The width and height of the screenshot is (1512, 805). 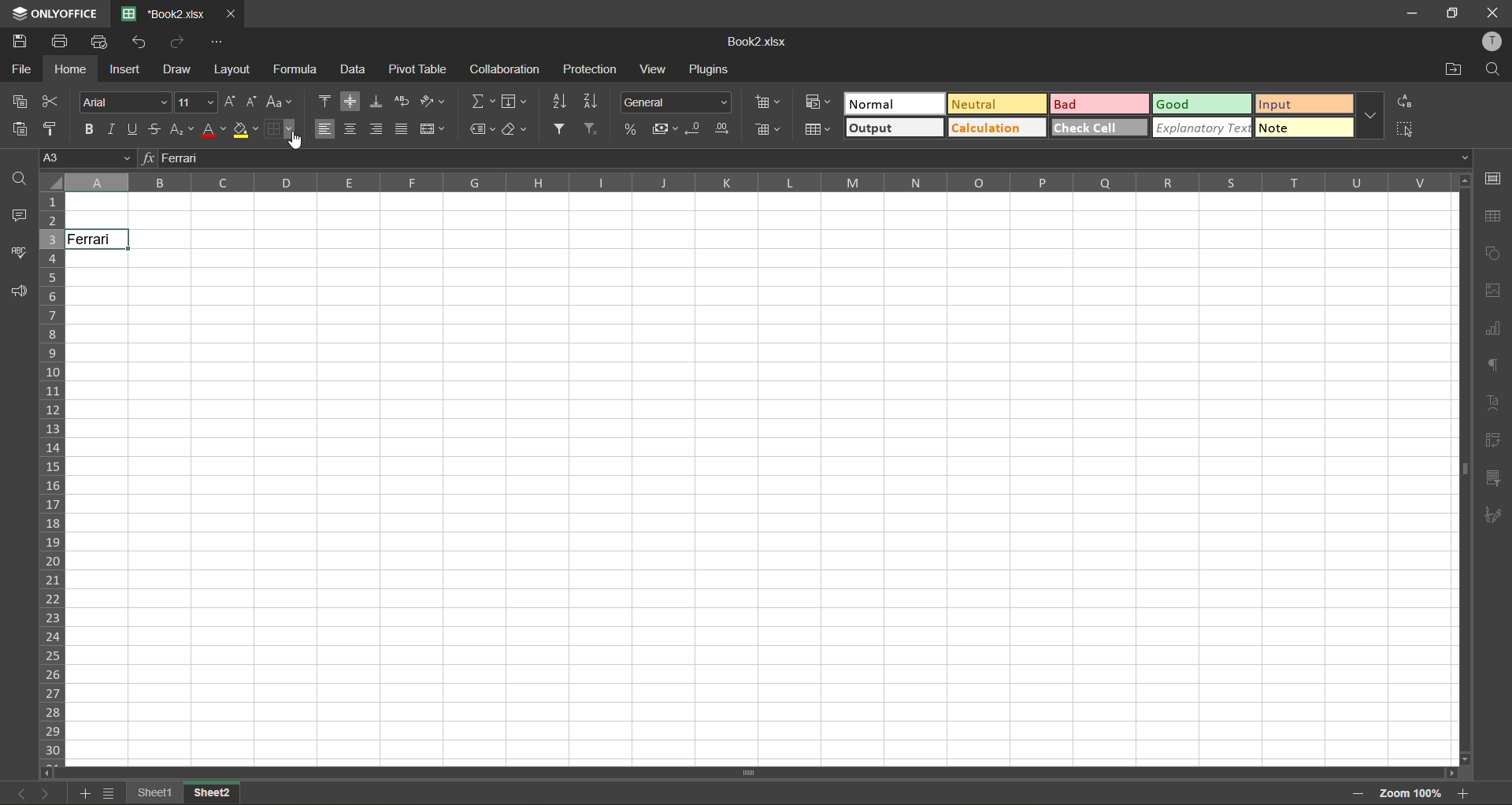 I want to click on increment size, so click(x=228, y=101).